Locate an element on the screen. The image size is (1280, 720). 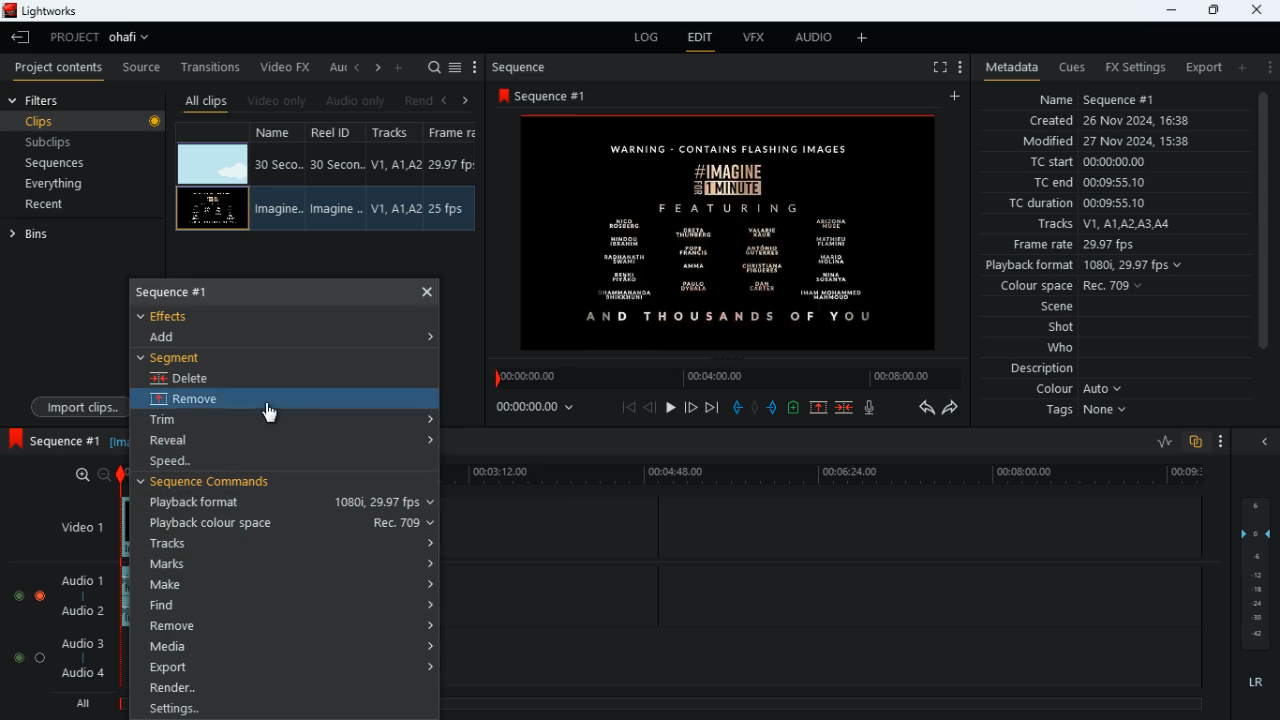
sequence is located at coordinates (522, 65).